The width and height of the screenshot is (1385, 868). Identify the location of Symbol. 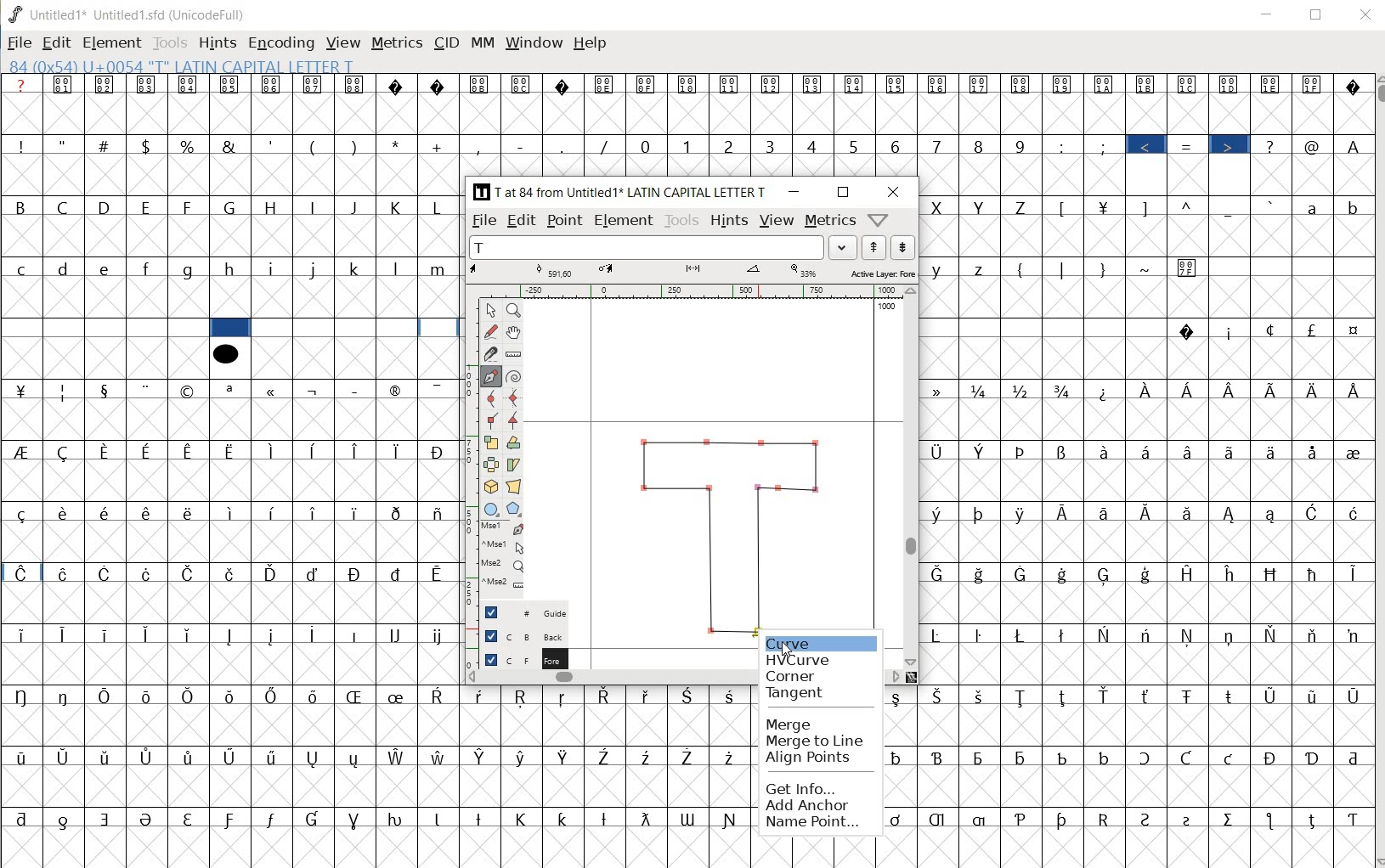
(565, 84).